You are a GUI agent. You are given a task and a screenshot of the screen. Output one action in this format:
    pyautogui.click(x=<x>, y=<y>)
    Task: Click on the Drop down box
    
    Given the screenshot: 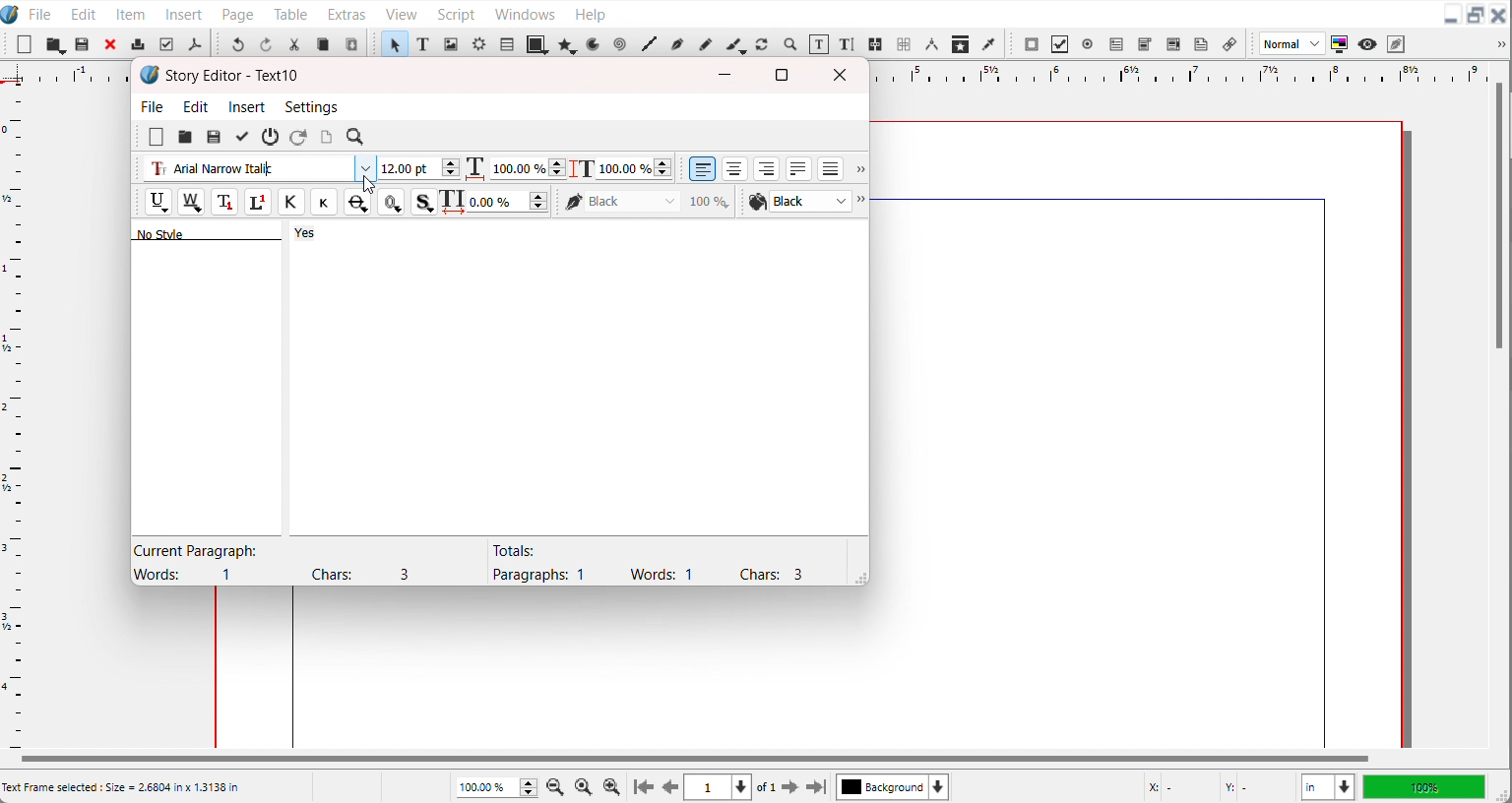 What is the action you would take?
    pyautogui.click(x=858, y=170)
    